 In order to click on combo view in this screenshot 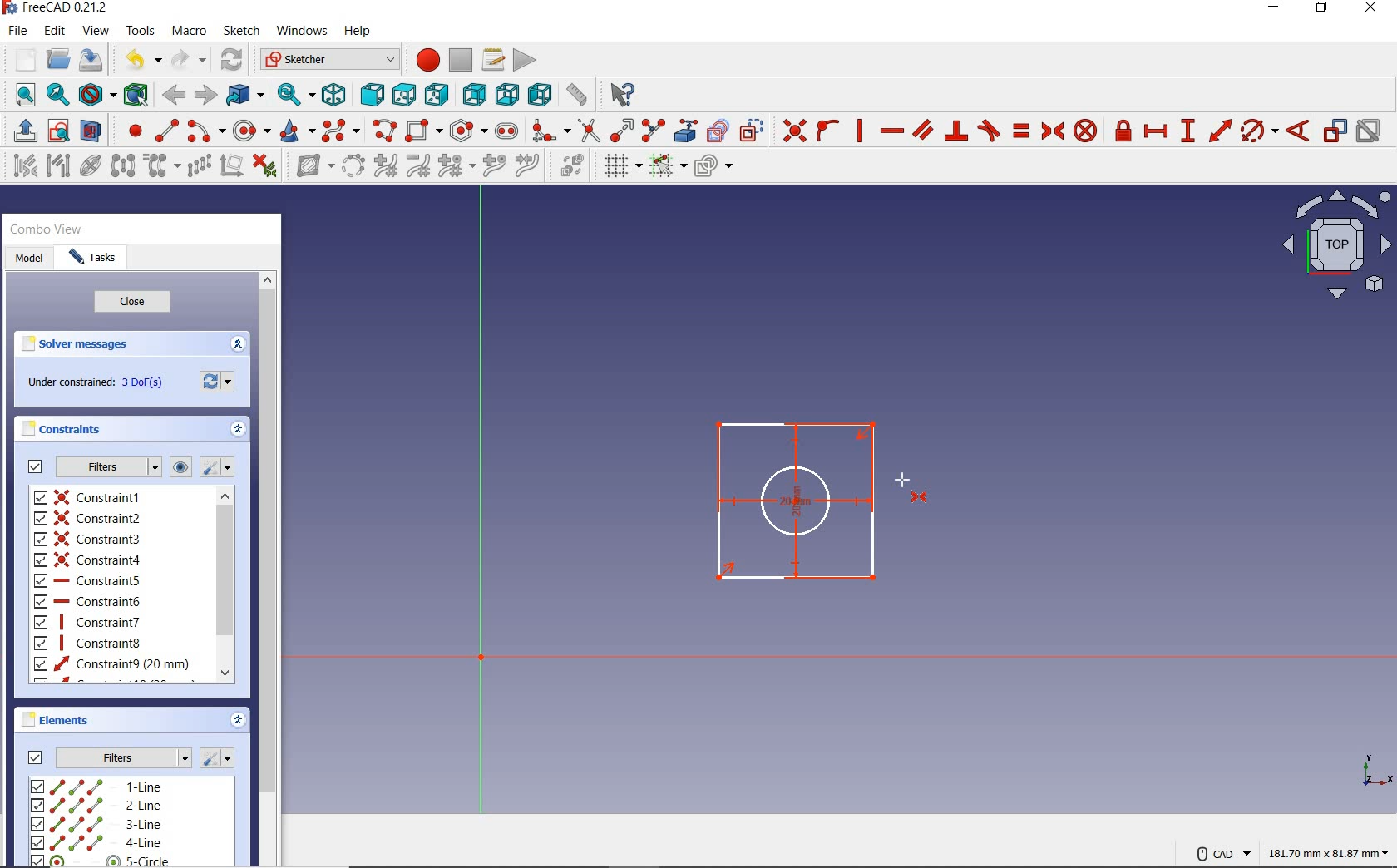, I will do `click(45, 229)`.